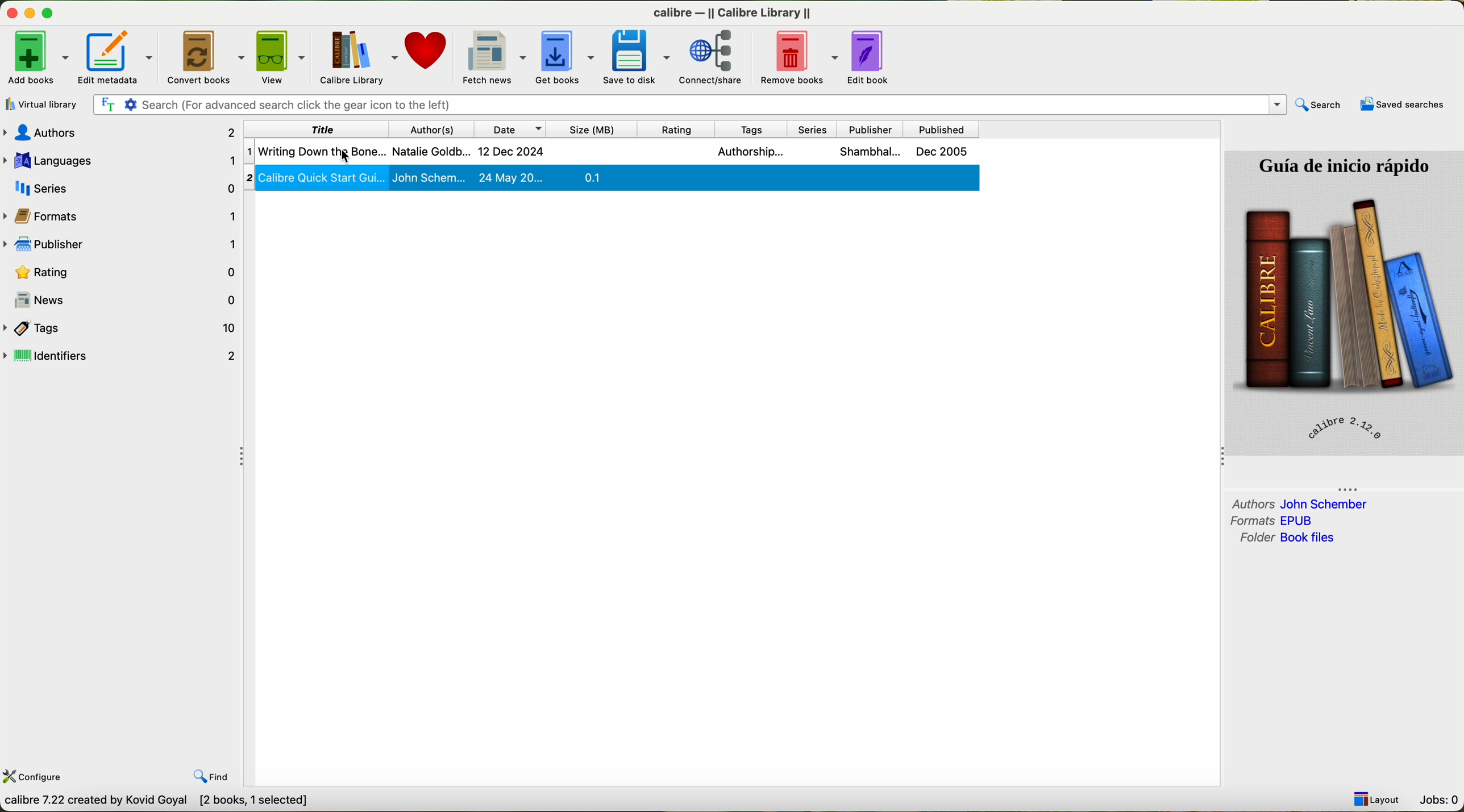 Image resolution: width=1464 pixels, height=812 pixels. What do you see at coordinates (285, 56) in the screenshot?
I see `view` at bounding box center [285, 56].